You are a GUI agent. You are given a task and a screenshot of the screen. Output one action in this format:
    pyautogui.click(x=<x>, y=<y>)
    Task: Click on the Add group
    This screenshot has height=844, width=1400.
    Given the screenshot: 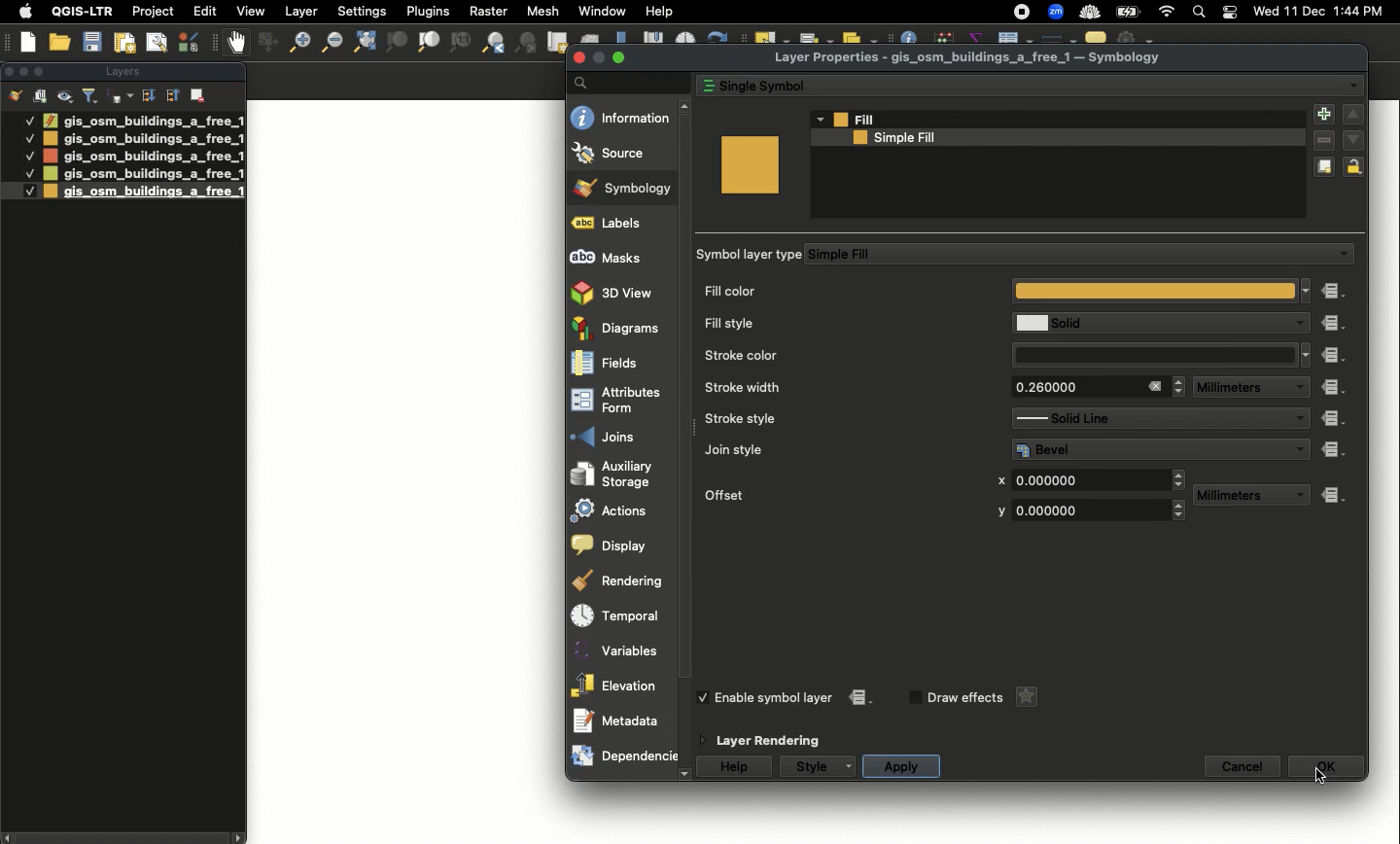 What is the action you would take?
    pyautogui.click(x=41, y=95)
    